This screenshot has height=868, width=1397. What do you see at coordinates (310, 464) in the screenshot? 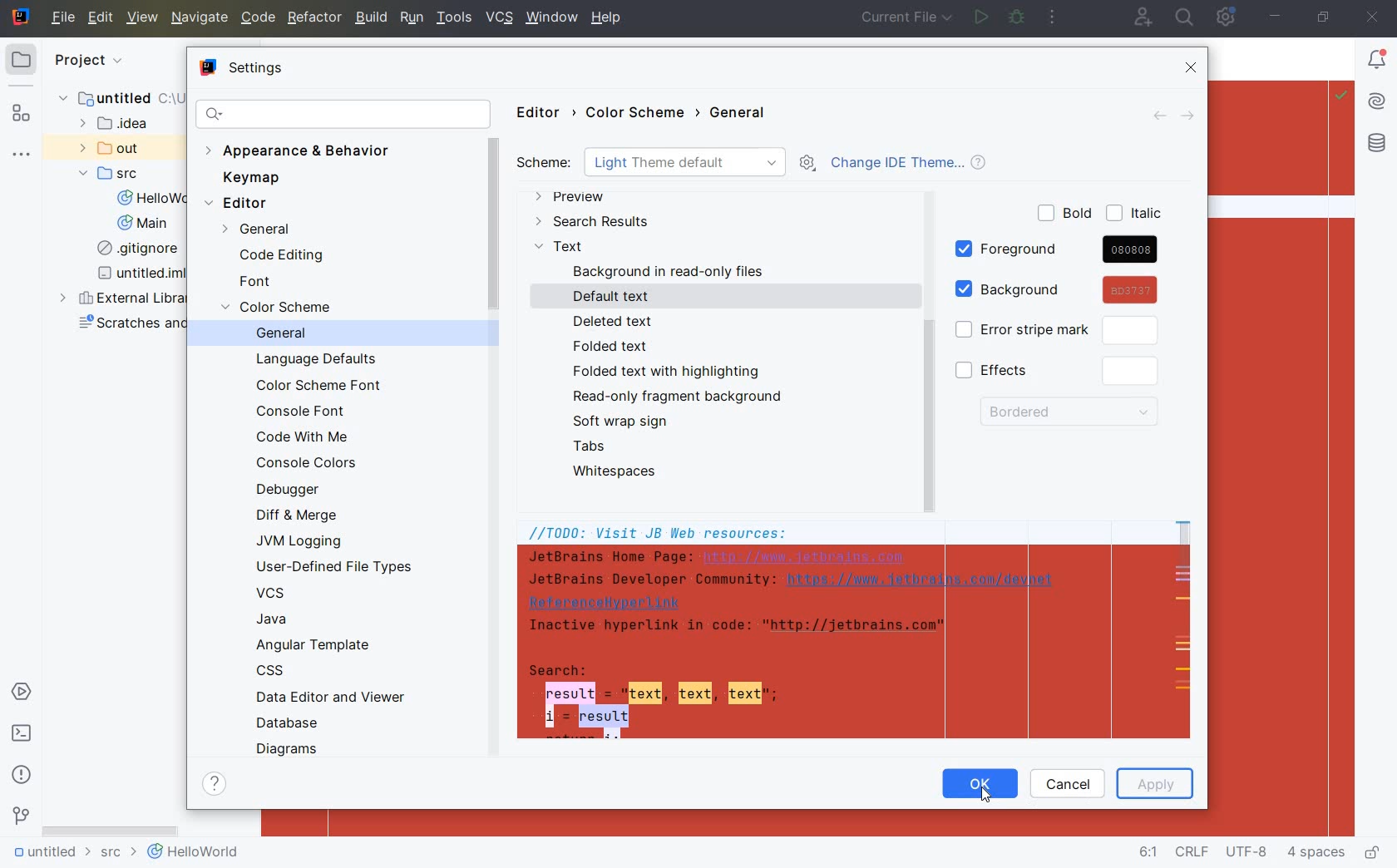
I see `CONSOLE COLORS` at bounding box center [310, 464].